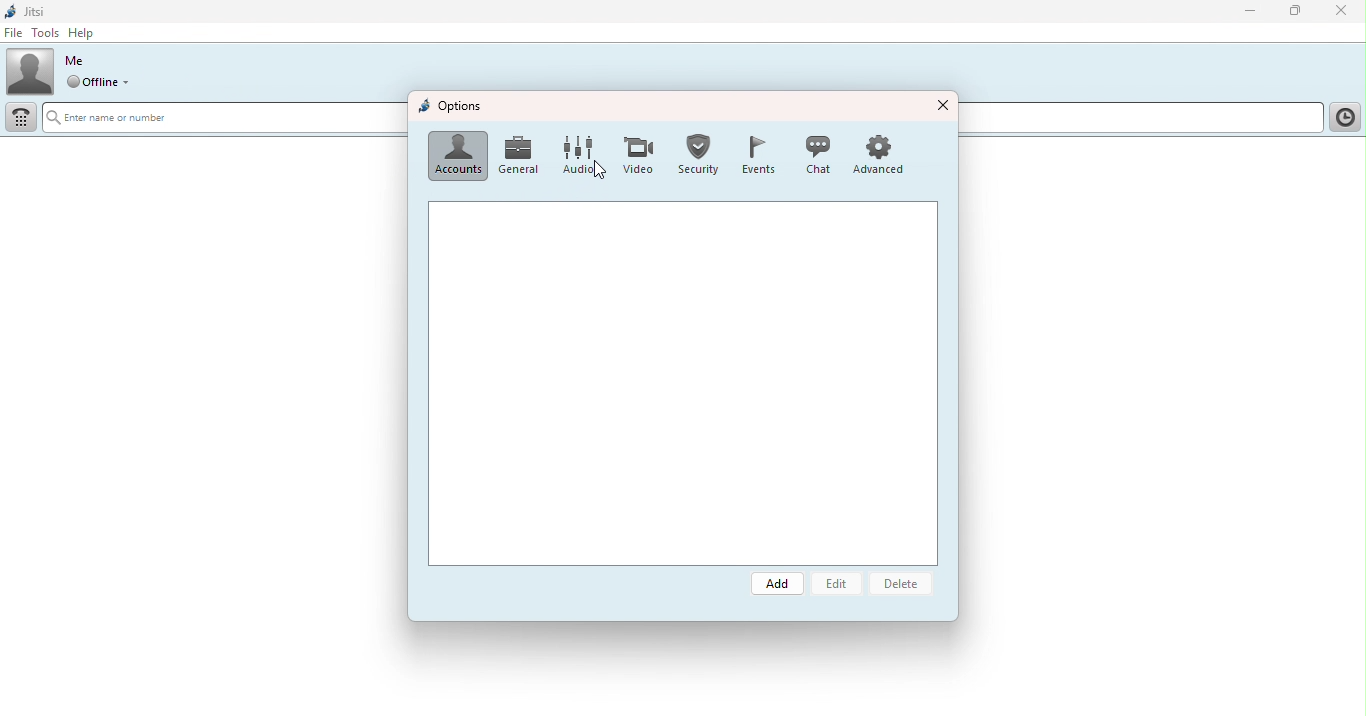  What do you see at coordinates (754, 153) in the screenshot?
I see `Events` at bounding box center [754, 153].